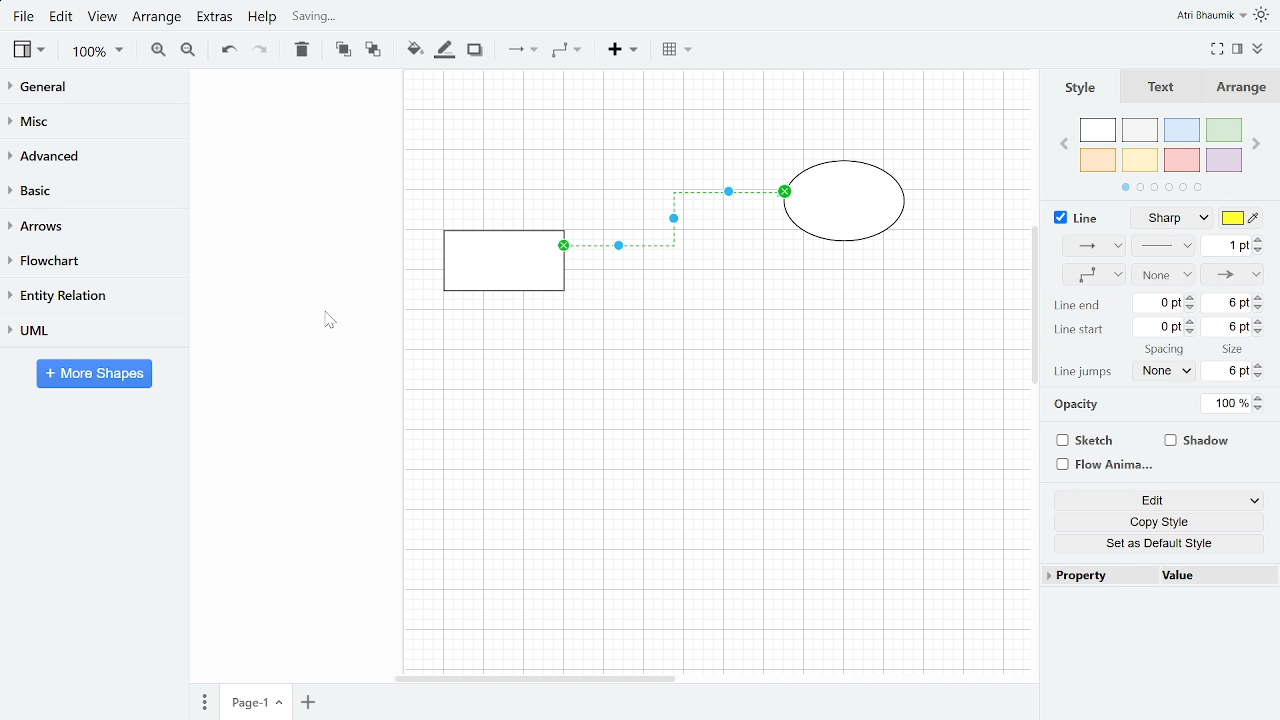 The image size is (1280, 720). What do you see at coordinates (344, 50) in the screenshot?
I see `To front` at bounding box center [344, 50].